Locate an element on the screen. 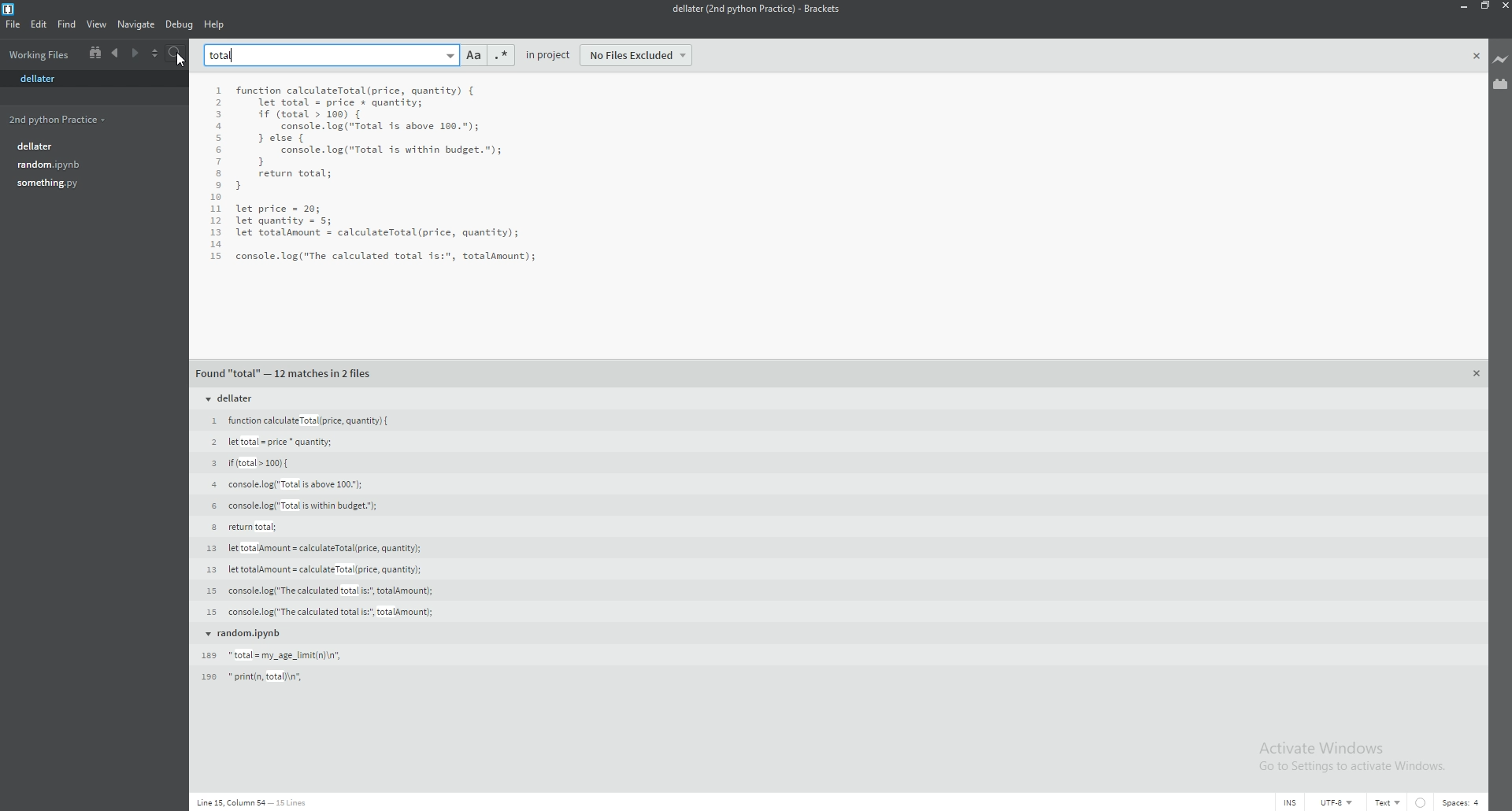  dellater is located at coordinates (91, 146).